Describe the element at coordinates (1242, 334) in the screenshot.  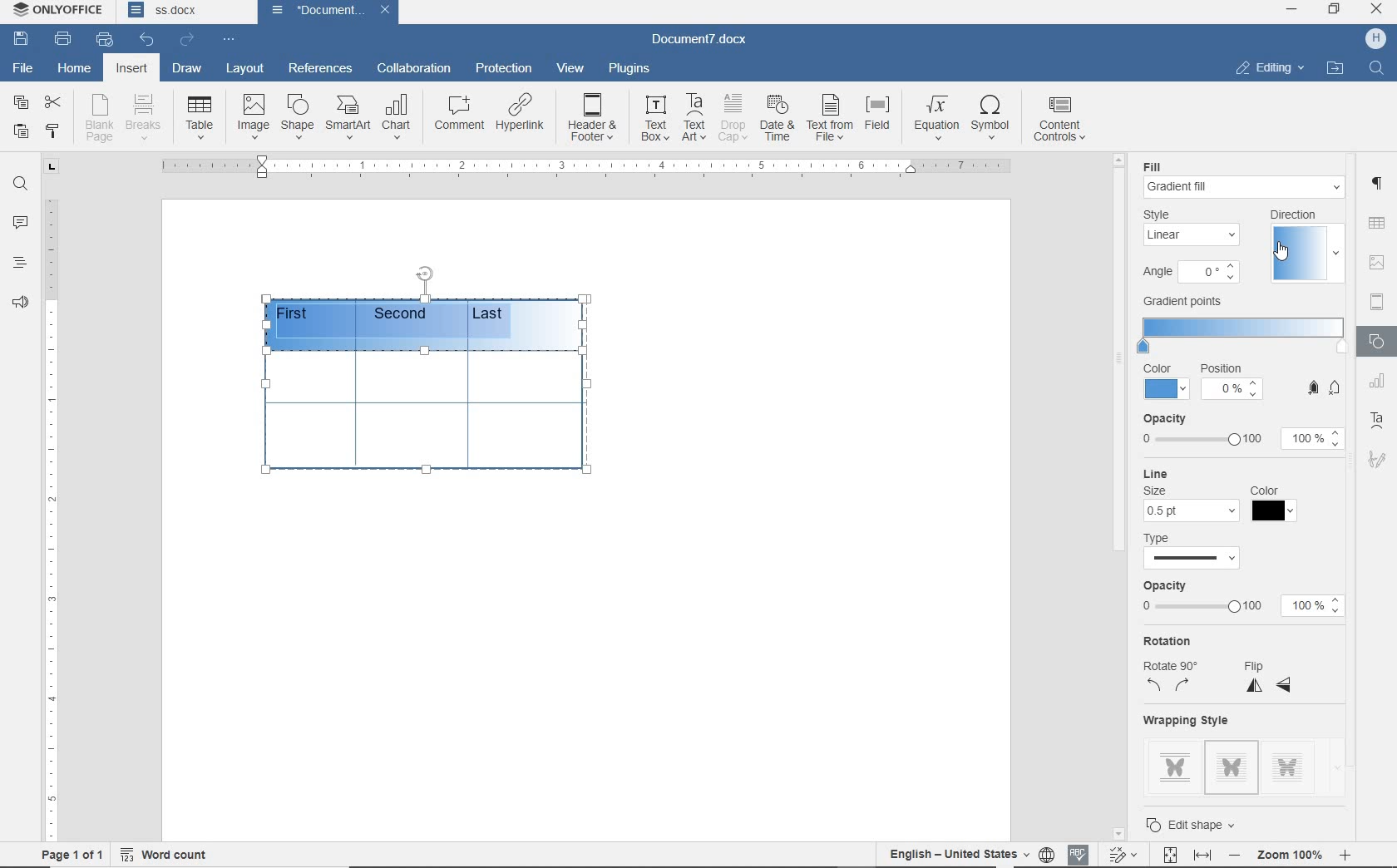
I see `set gradient points` at that location.